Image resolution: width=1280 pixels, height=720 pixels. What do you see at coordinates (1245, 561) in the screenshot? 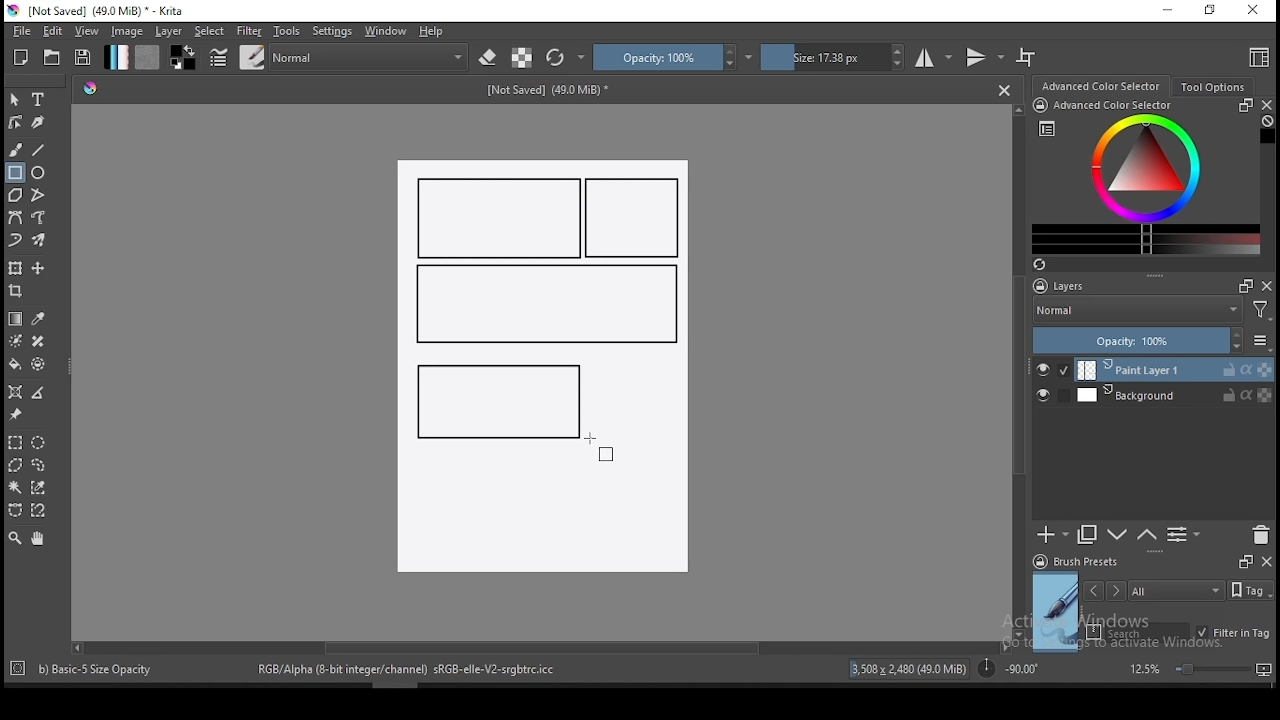
I see `Frames` at bounding box center [1245, 561].